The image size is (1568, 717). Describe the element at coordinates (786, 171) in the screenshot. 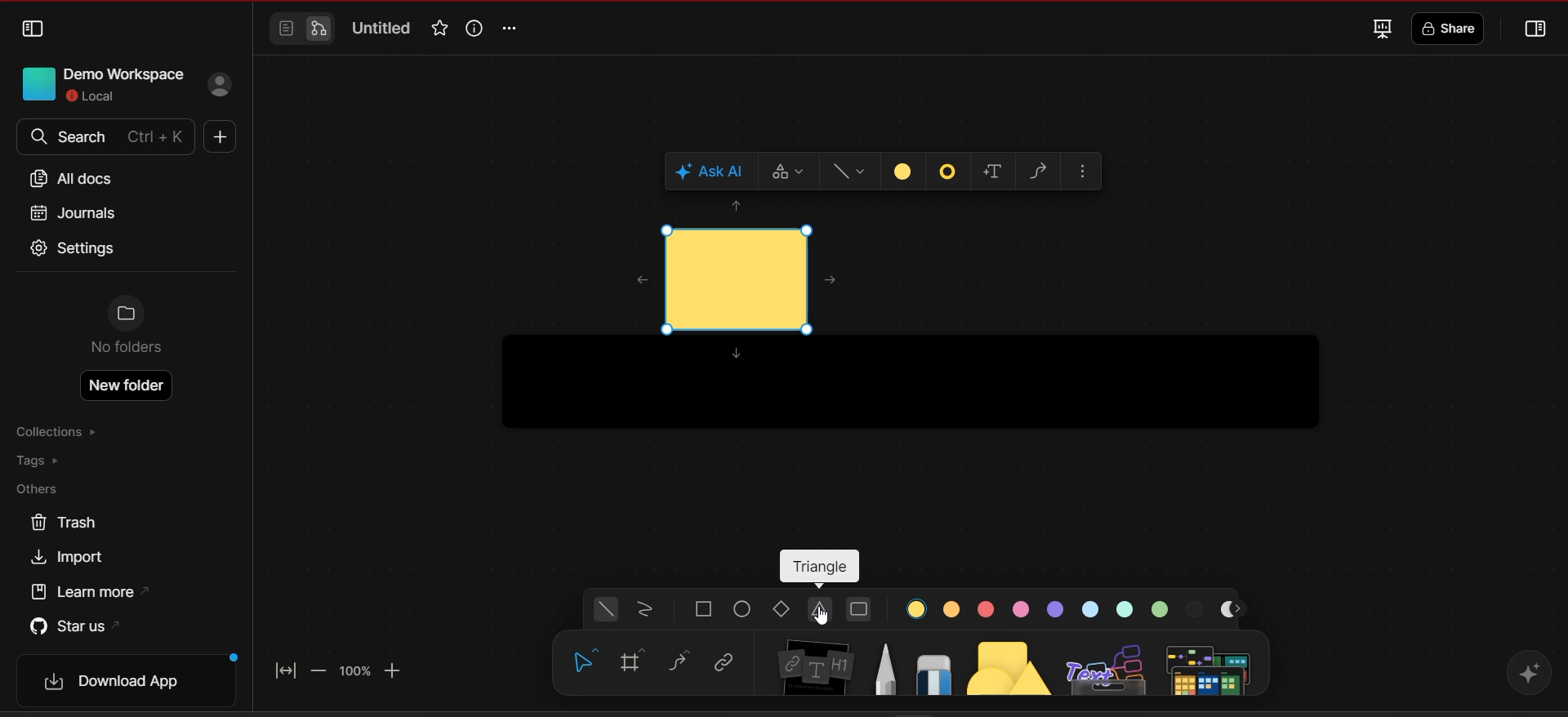

I see `switch type` at that location.